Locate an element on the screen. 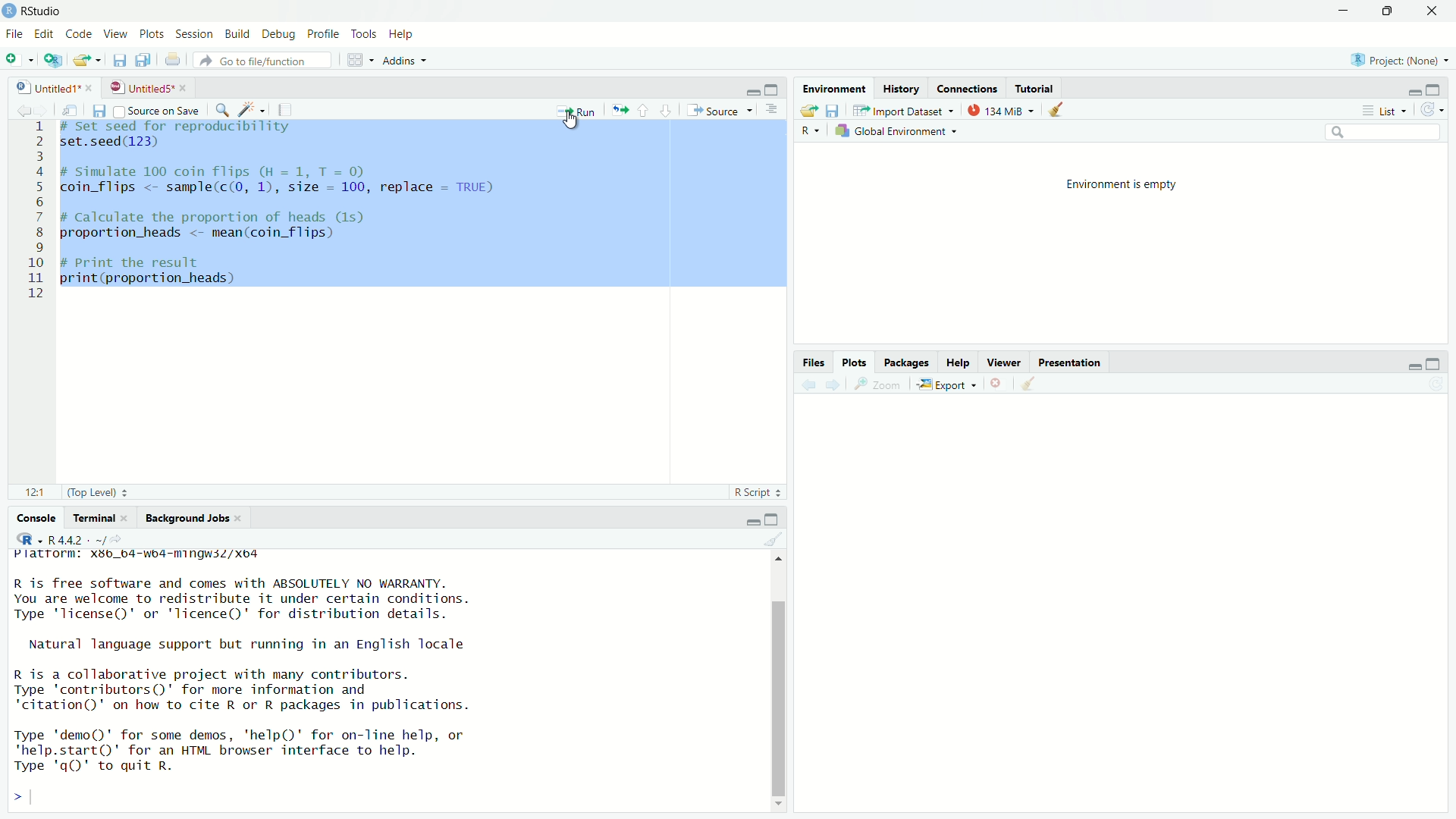  typing cursor is located at coordinates (37, 796).